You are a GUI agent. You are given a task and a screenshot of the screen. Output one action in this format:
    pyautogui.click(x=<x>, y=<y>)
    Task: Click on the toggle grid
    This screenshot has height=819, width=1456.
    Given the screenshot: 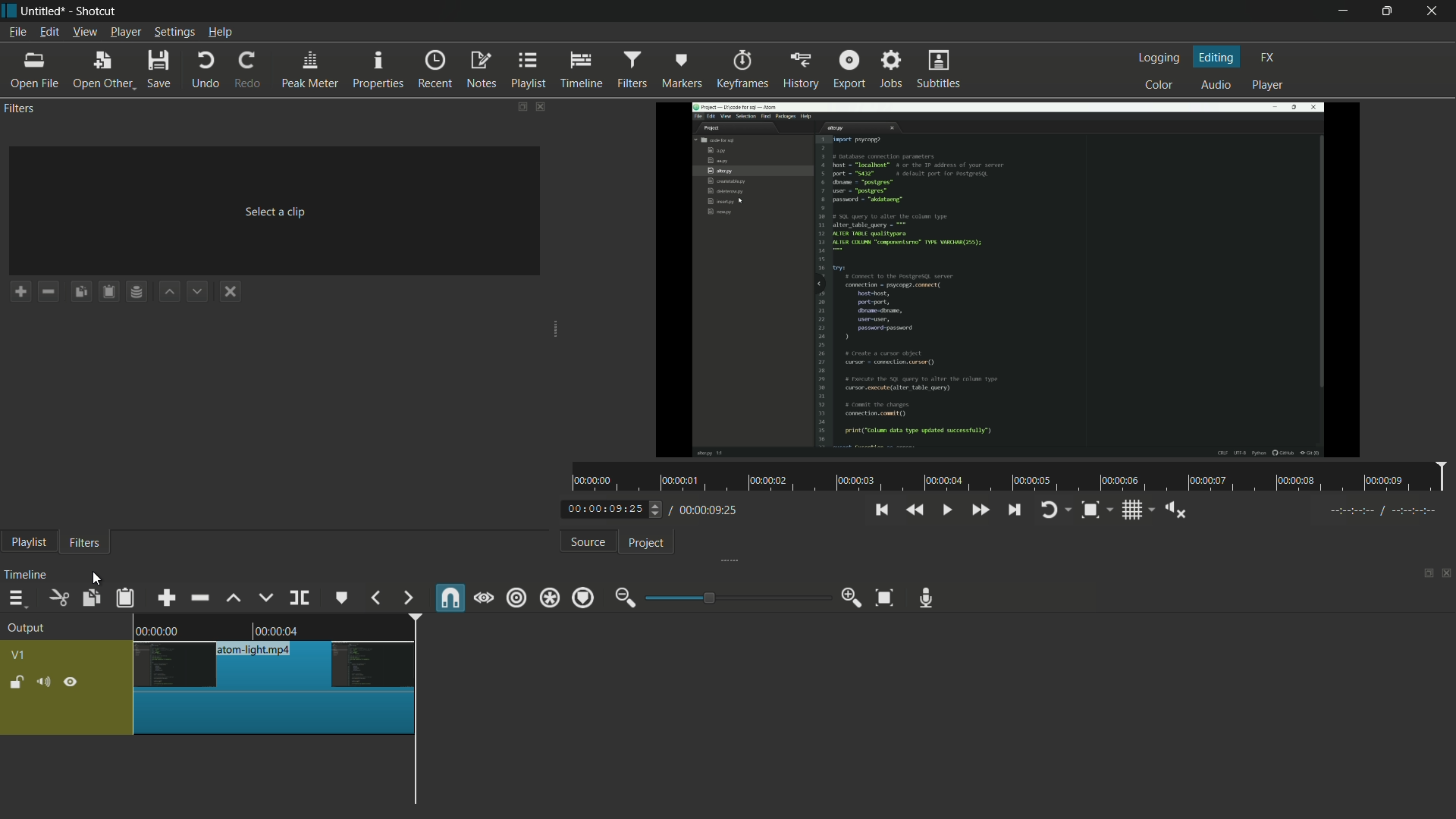 What is the action you would take?
    pyautogui.click(x=1137, y=510)
    